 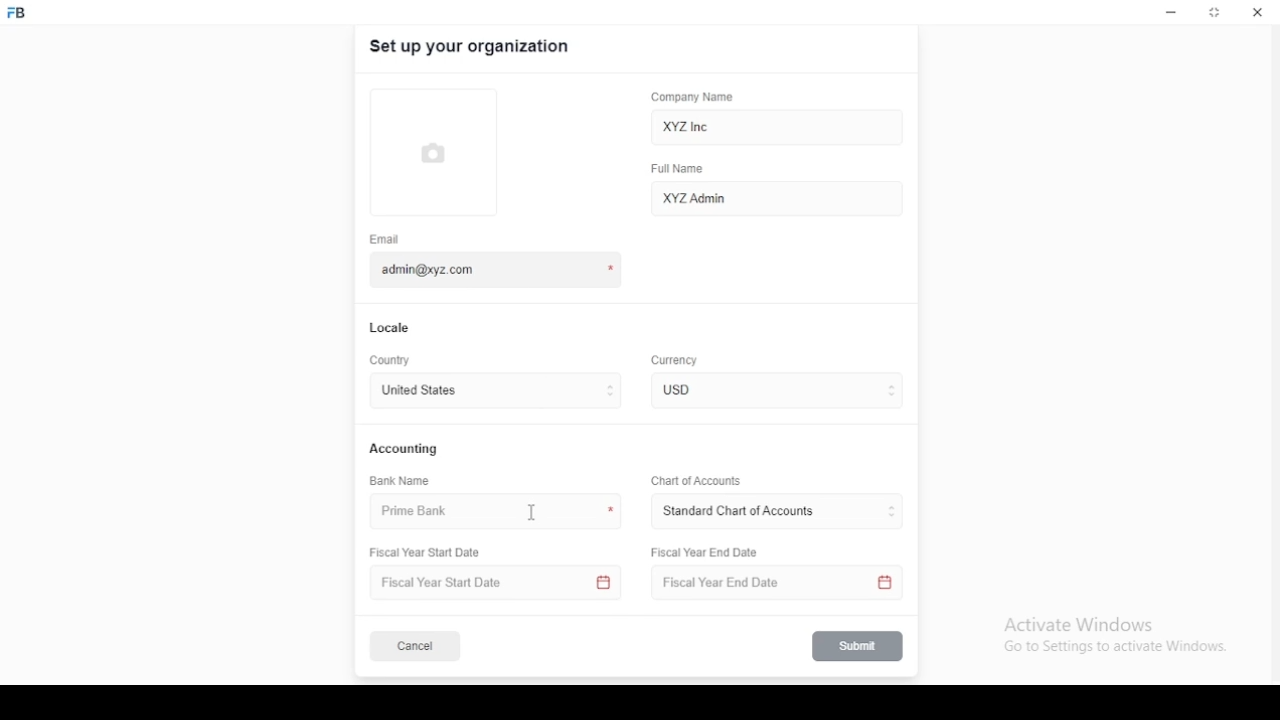 What do you see at coordinates (534, 513) in the screenshot?
I see `mouse pointer` at bounding box center [534, 513].